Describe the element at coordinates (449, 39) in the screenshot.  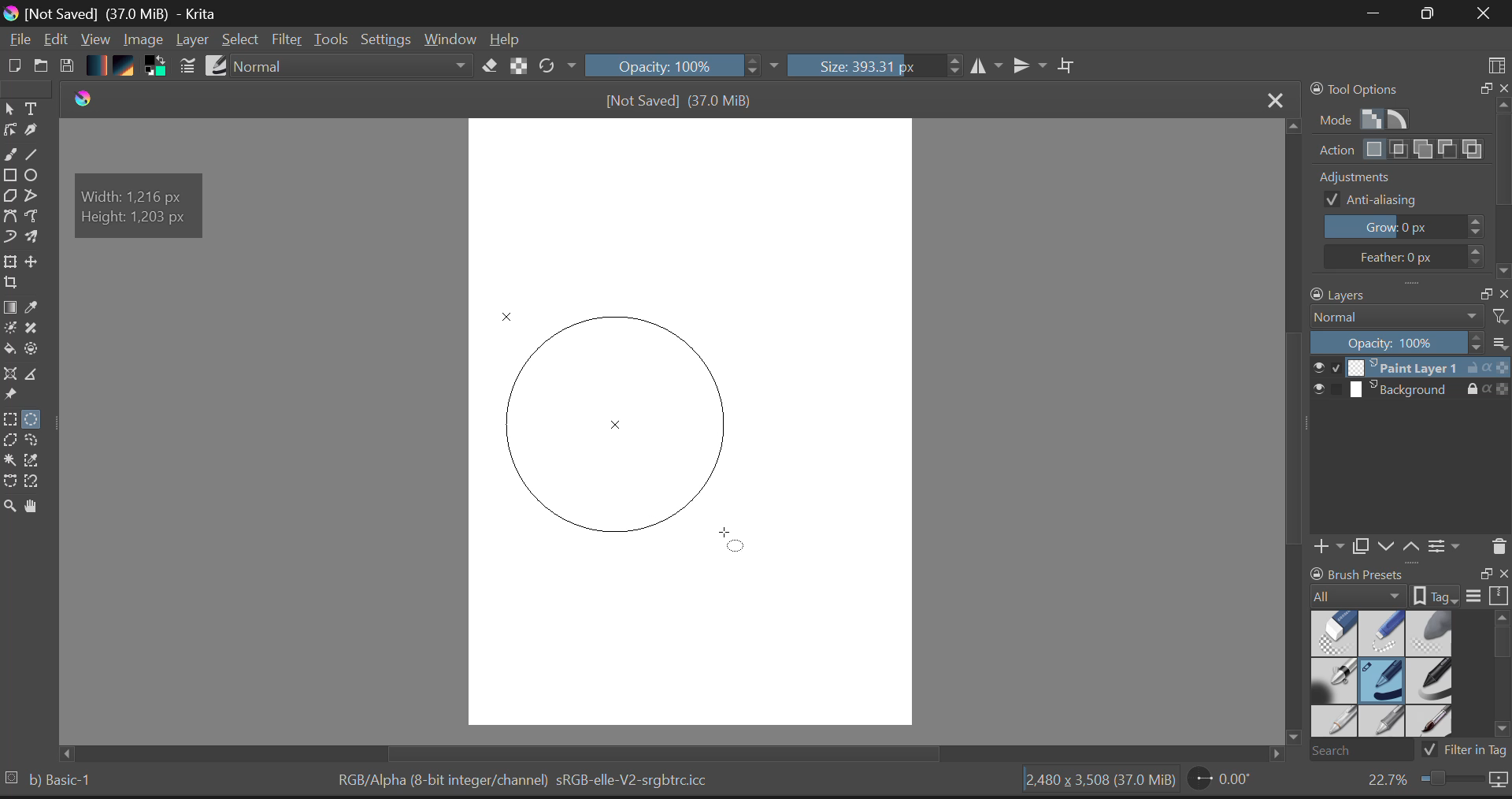
I see `Window` at that location.